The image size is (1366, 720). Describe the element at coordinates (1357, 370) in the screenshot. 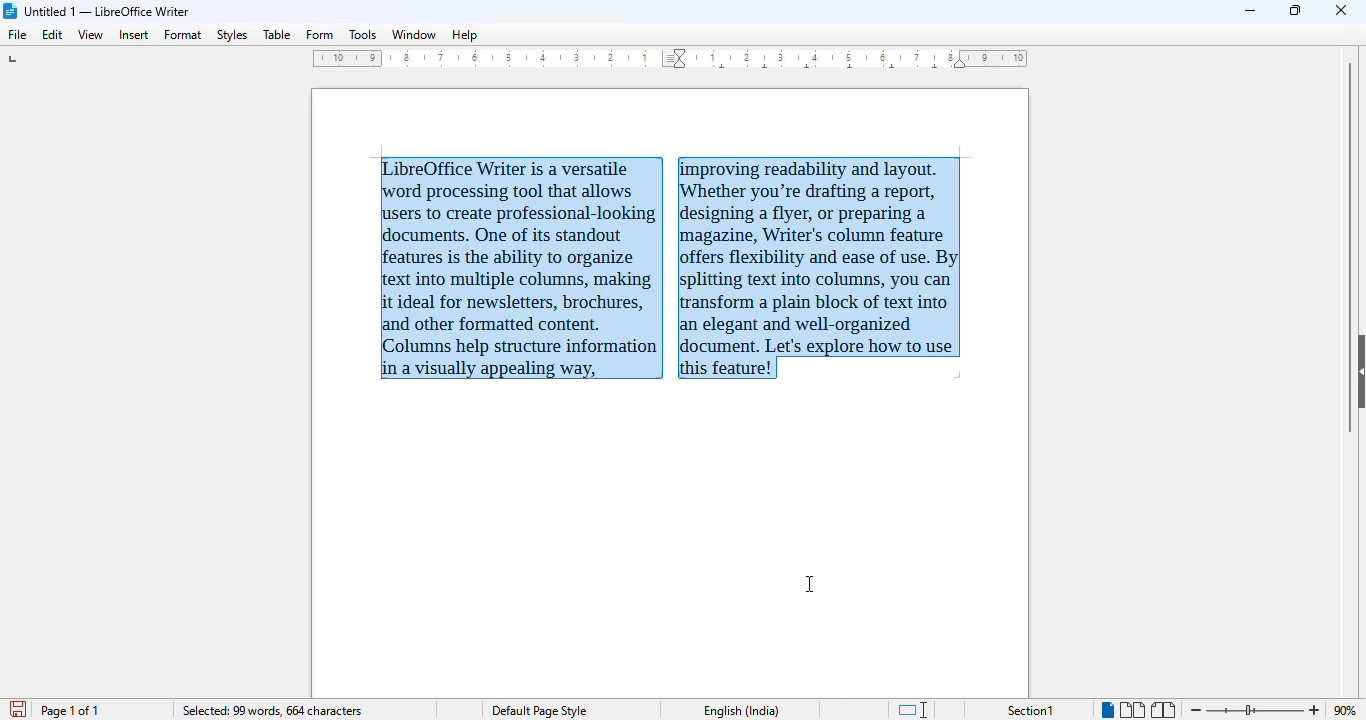

I see `show` at that location.